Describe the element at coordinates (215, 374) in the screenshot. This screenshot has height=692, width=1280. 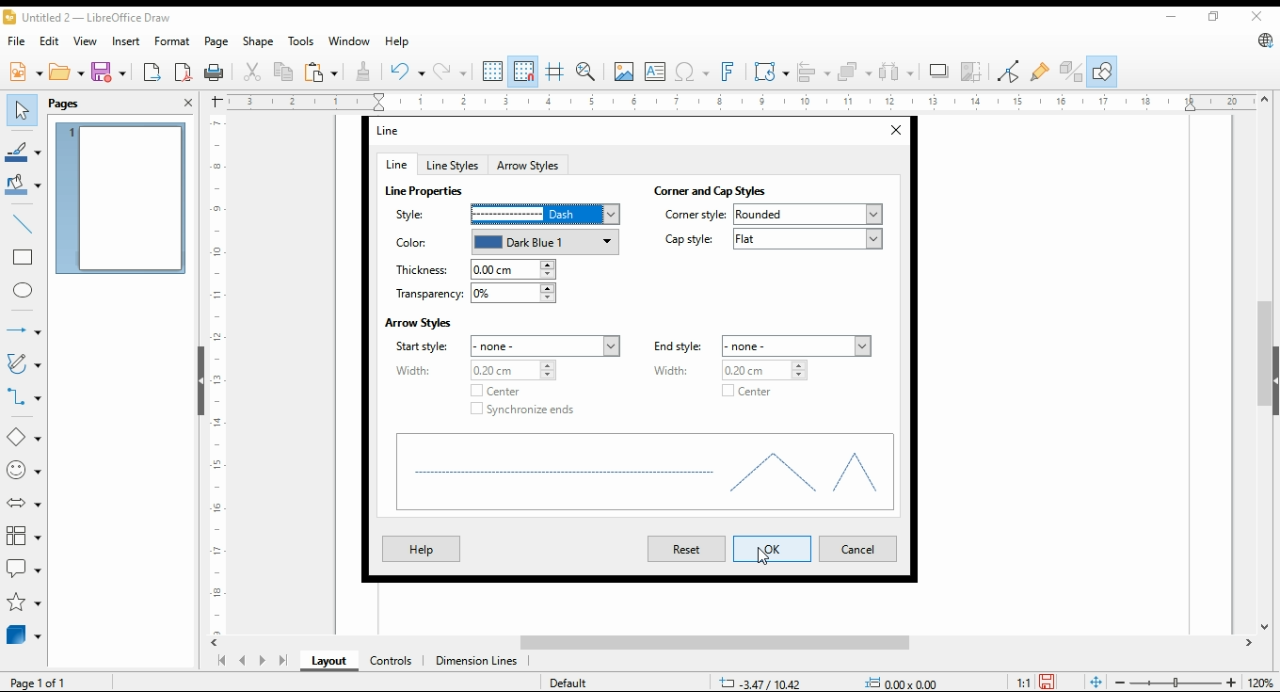
I see `vertical scale` at that location.